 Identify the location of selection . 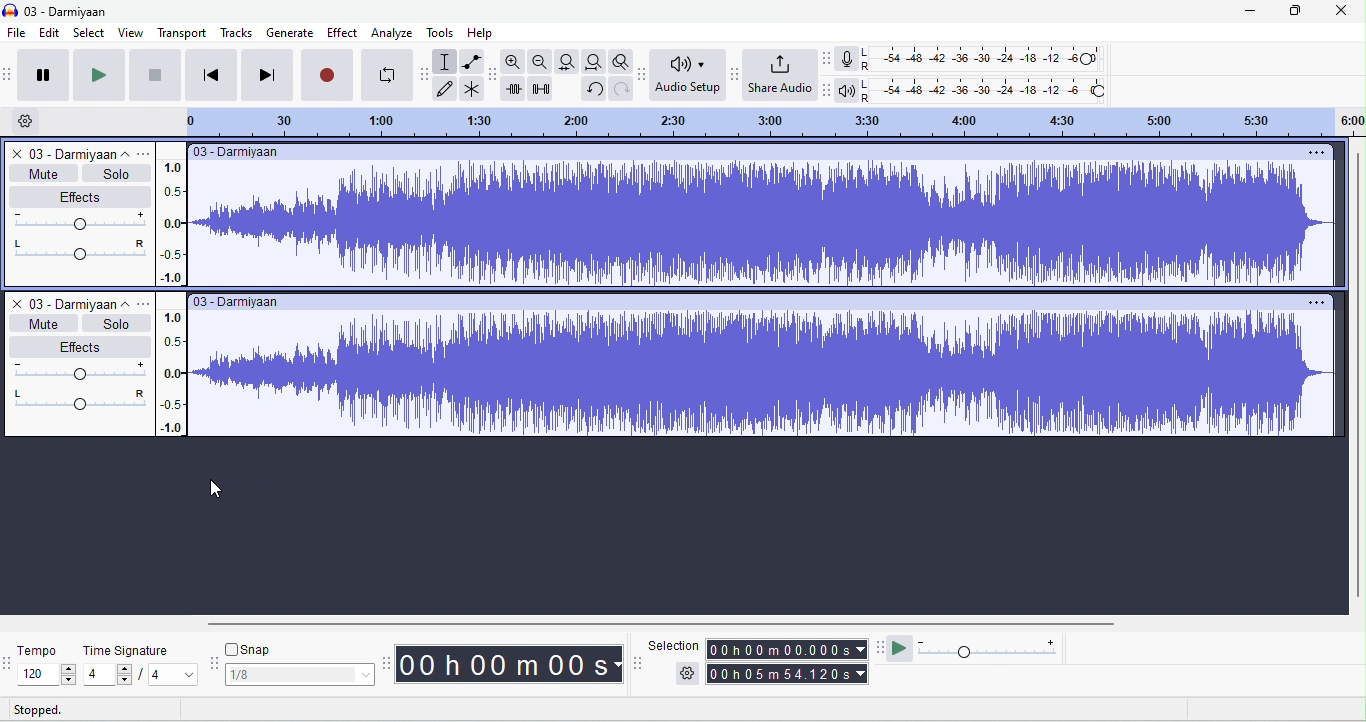
(671, 643).